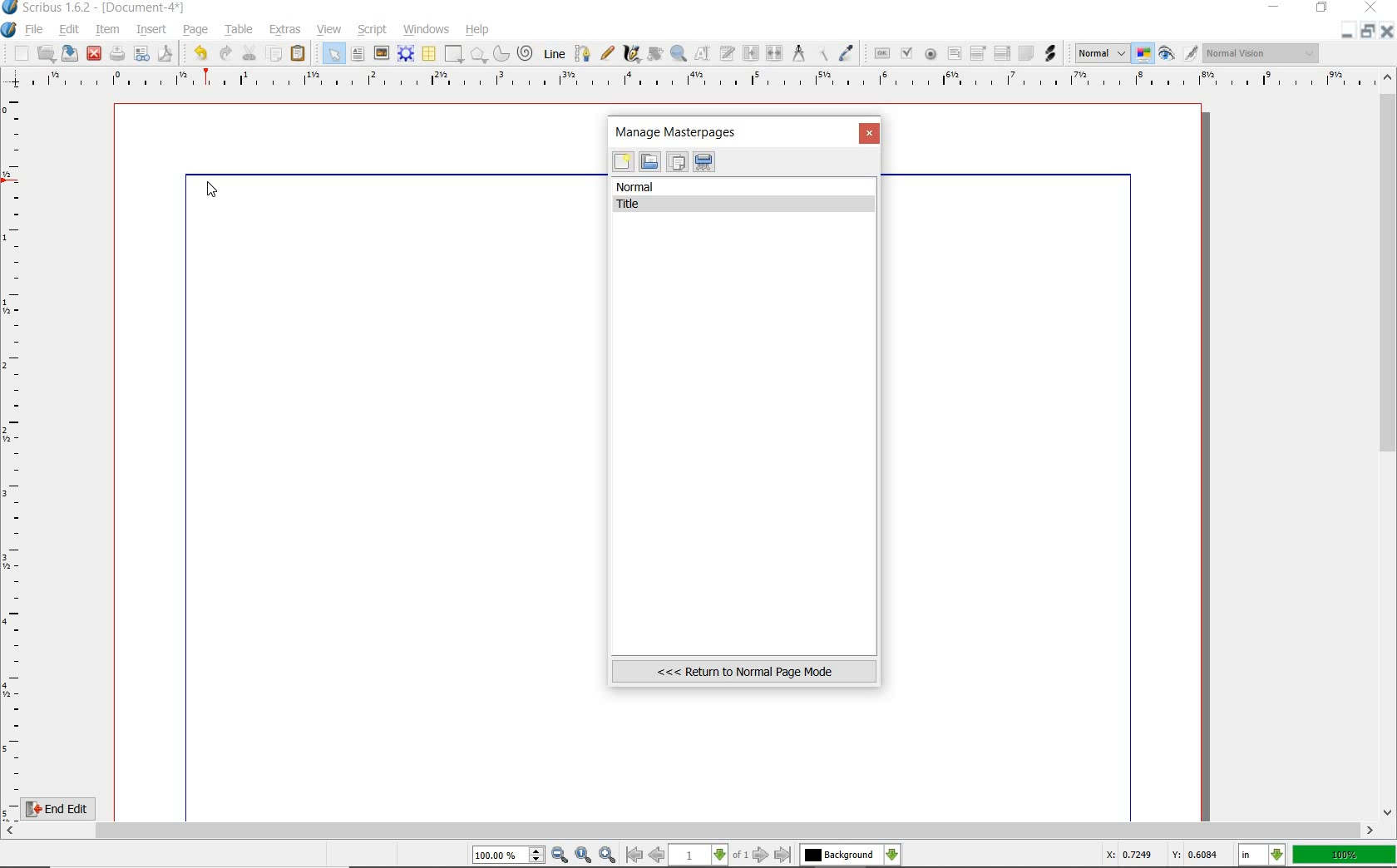  What do you see at coordinates (1323, 9) in the screenshot?
I see `restore` at bounding box center [1323, 9].